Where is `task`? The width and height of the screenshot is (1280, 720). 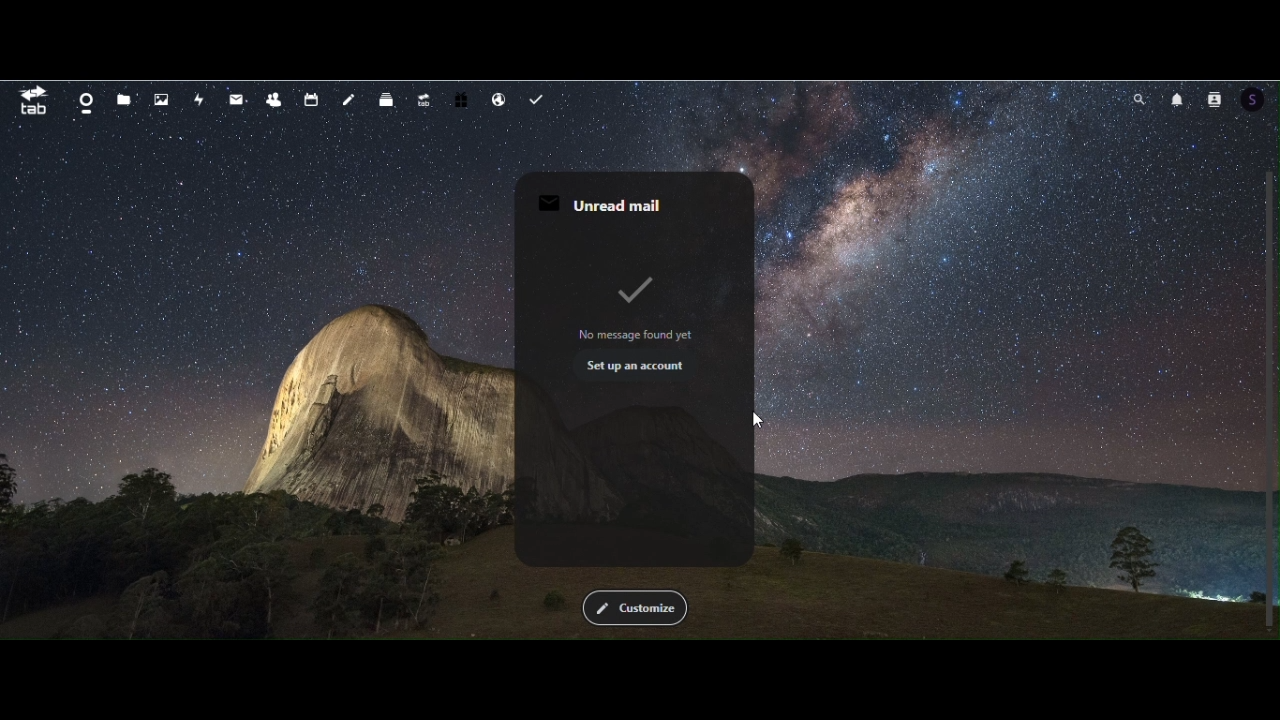
task is located at coordinates (540, 98).